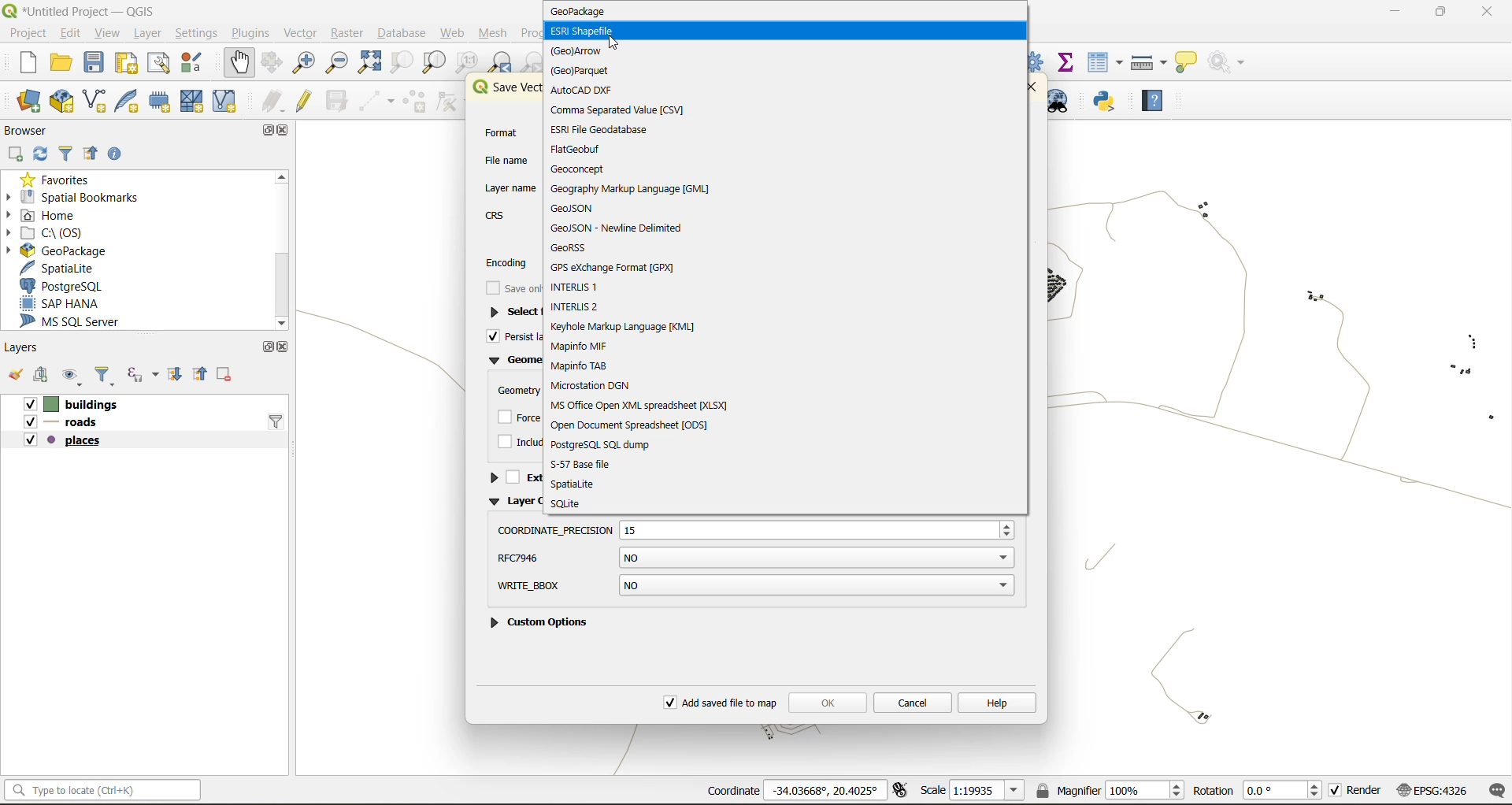  Describe the element at coordinates (94, 61) in the screenshot. I see `save` at that location.